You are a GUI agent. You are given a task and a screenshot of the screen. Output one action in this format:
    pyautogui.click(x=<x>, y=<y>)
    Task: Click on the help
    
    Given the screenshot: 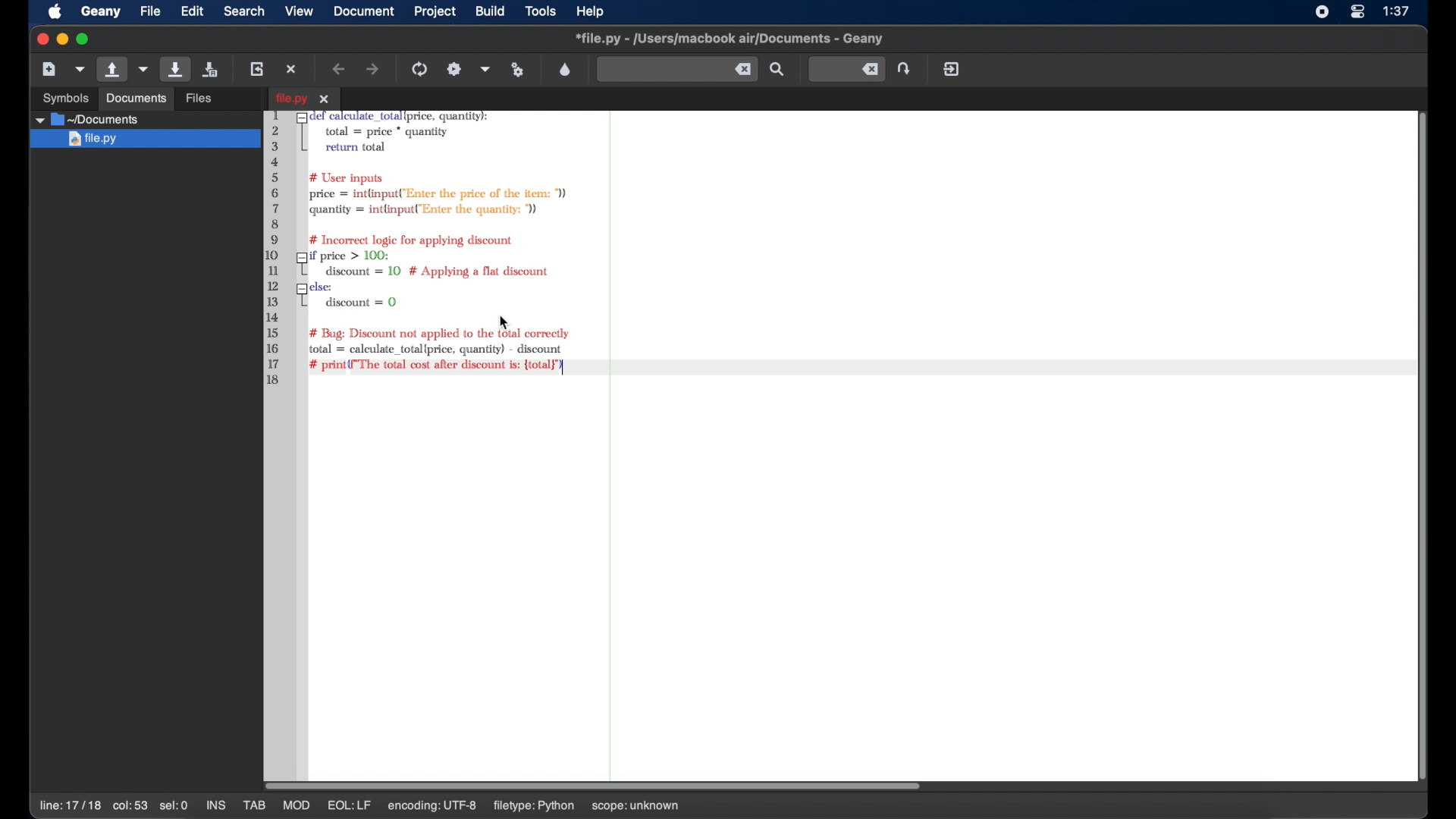 What is the action you would take?
    pyautogui.click(x=591, y=11)
    